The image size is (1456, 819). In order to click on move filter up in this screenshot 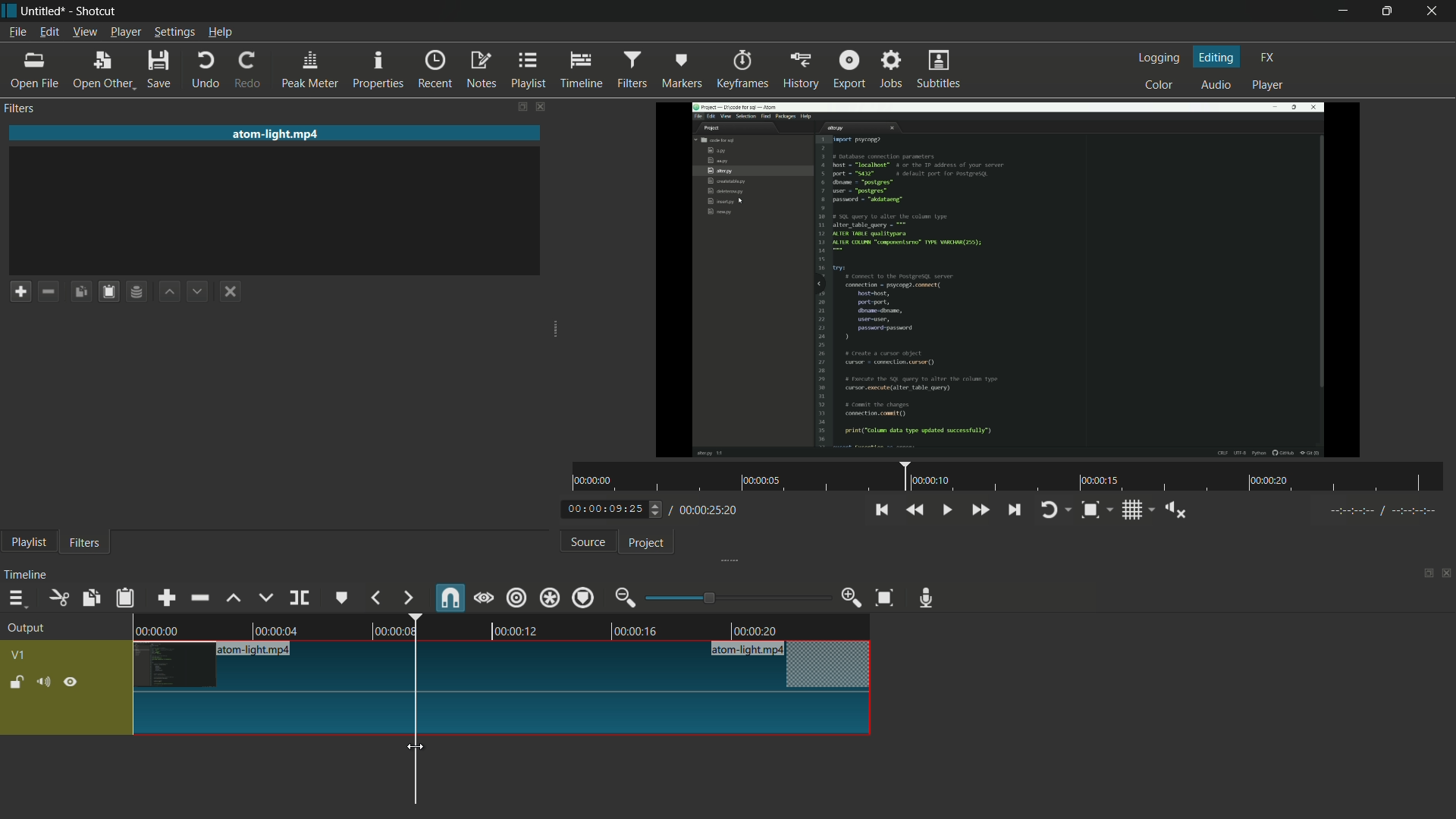, I will do `click(171, 293)`.